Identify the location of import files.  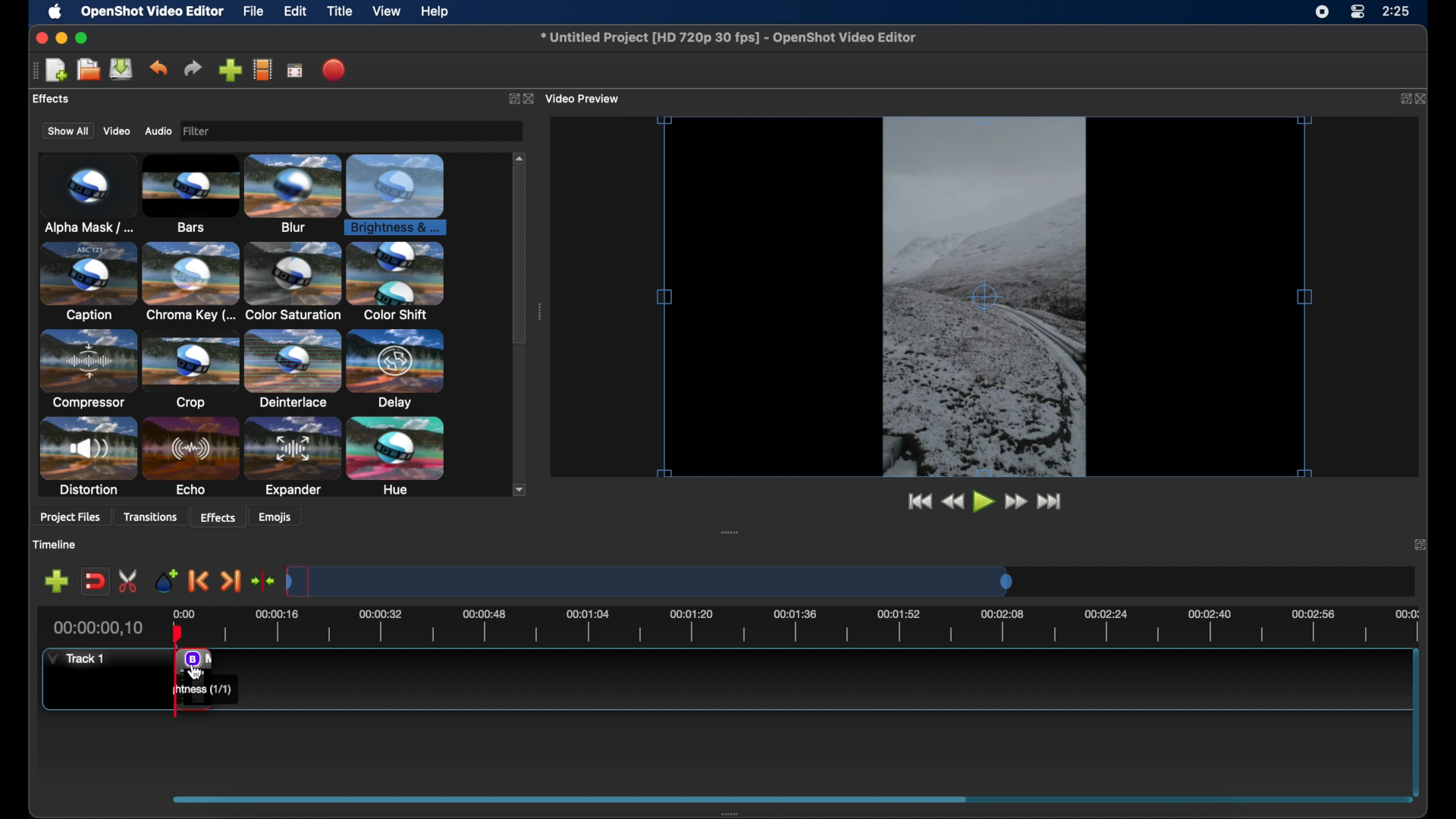
(229, 70).